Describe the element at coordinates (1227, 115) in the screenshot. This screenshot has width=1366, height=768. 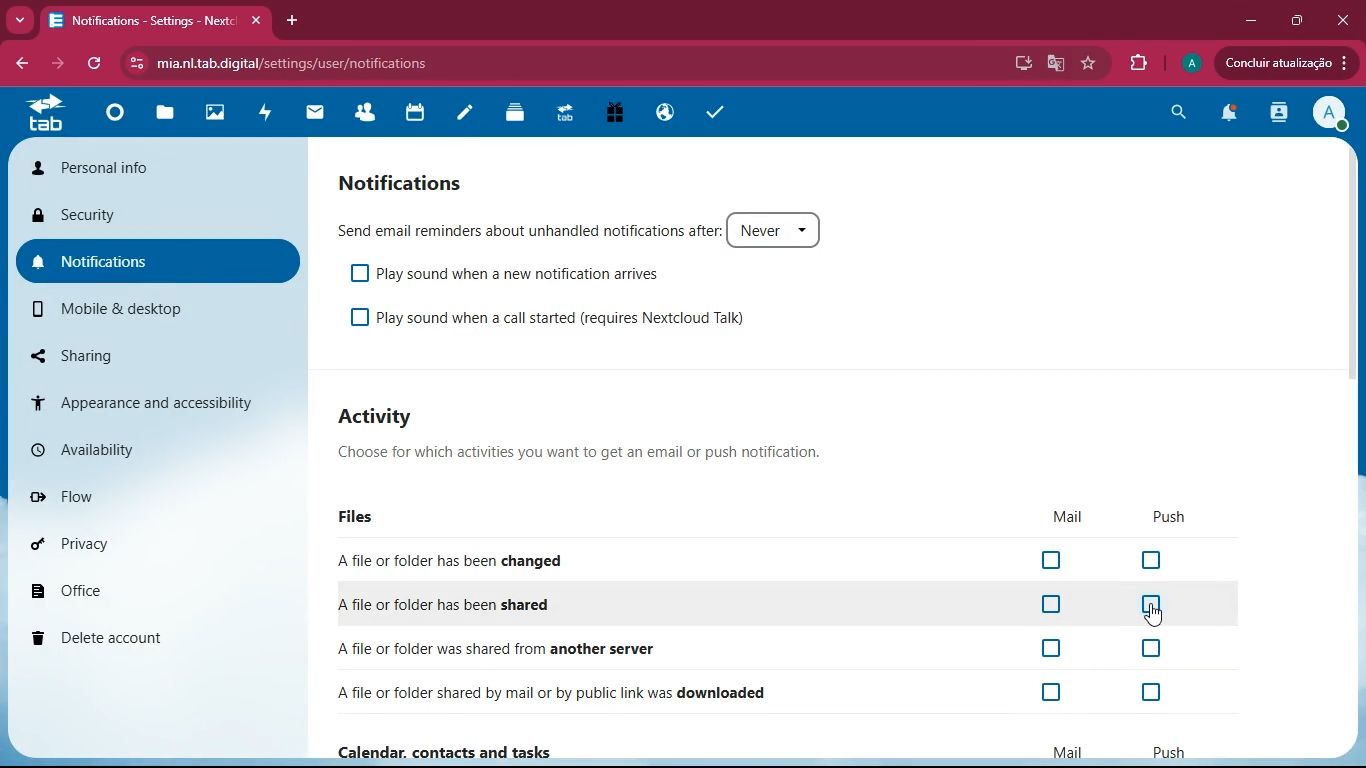
I see `notifications` at that location.